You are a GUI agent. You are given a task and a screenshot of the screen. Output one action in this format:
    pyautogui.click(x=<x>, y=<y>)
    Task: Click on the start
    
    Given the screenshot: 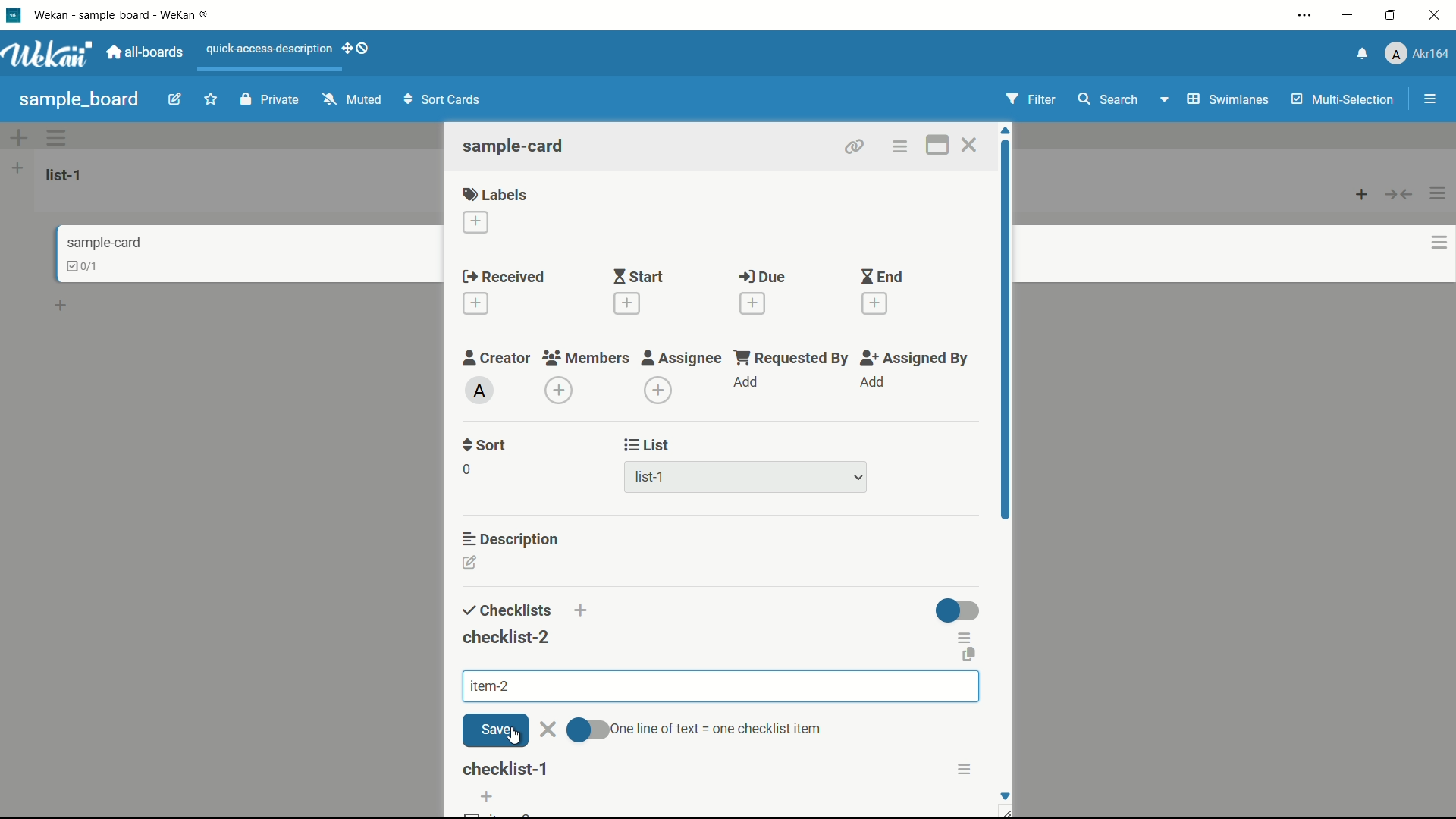 What is the action you would take?
    pyautogui.click(x=638, y=278)
    